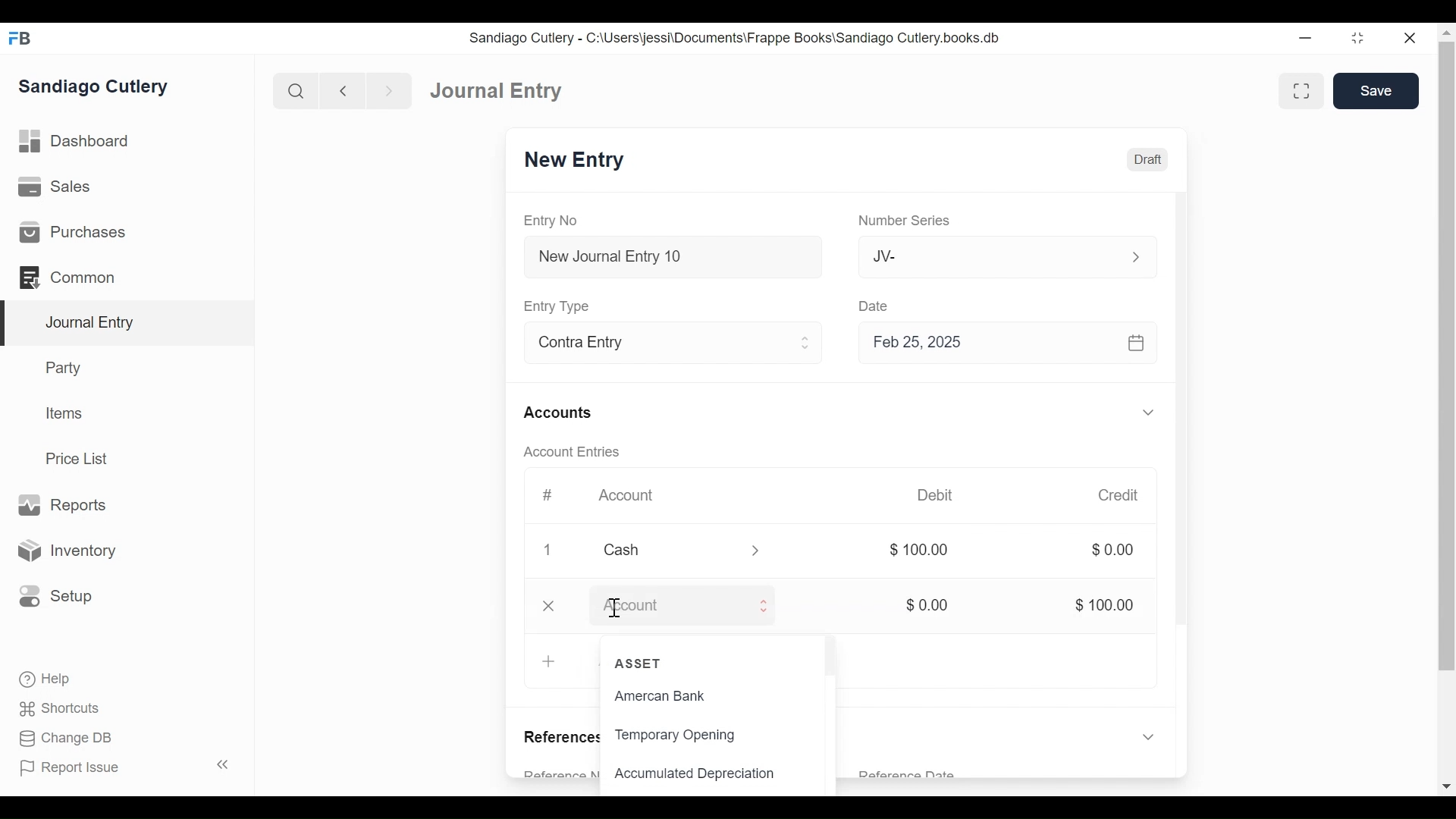  I want to click on Temporary Opening, so click(676, 736).